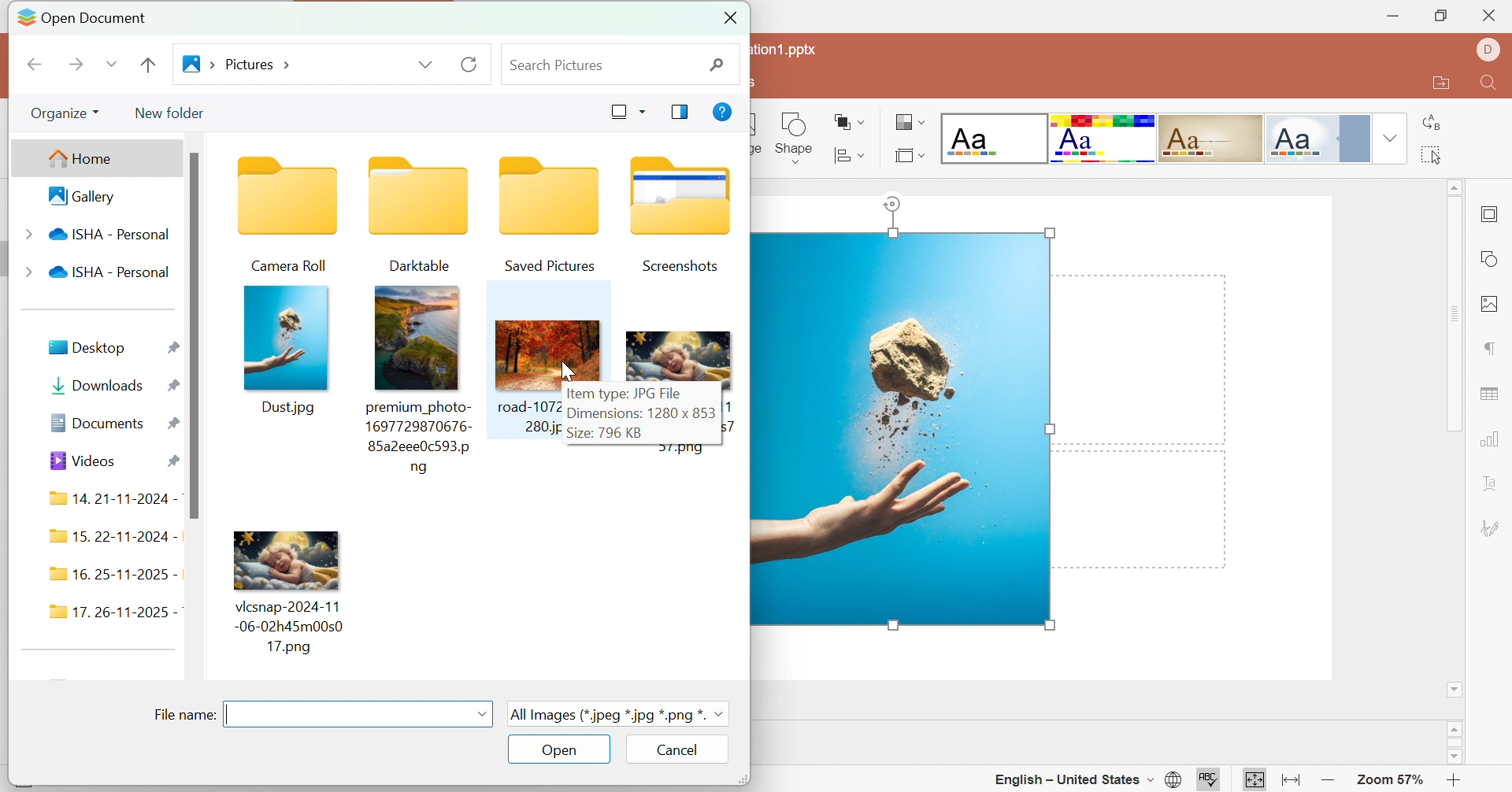  I want to click on Go to pictures, so click(235, 62).